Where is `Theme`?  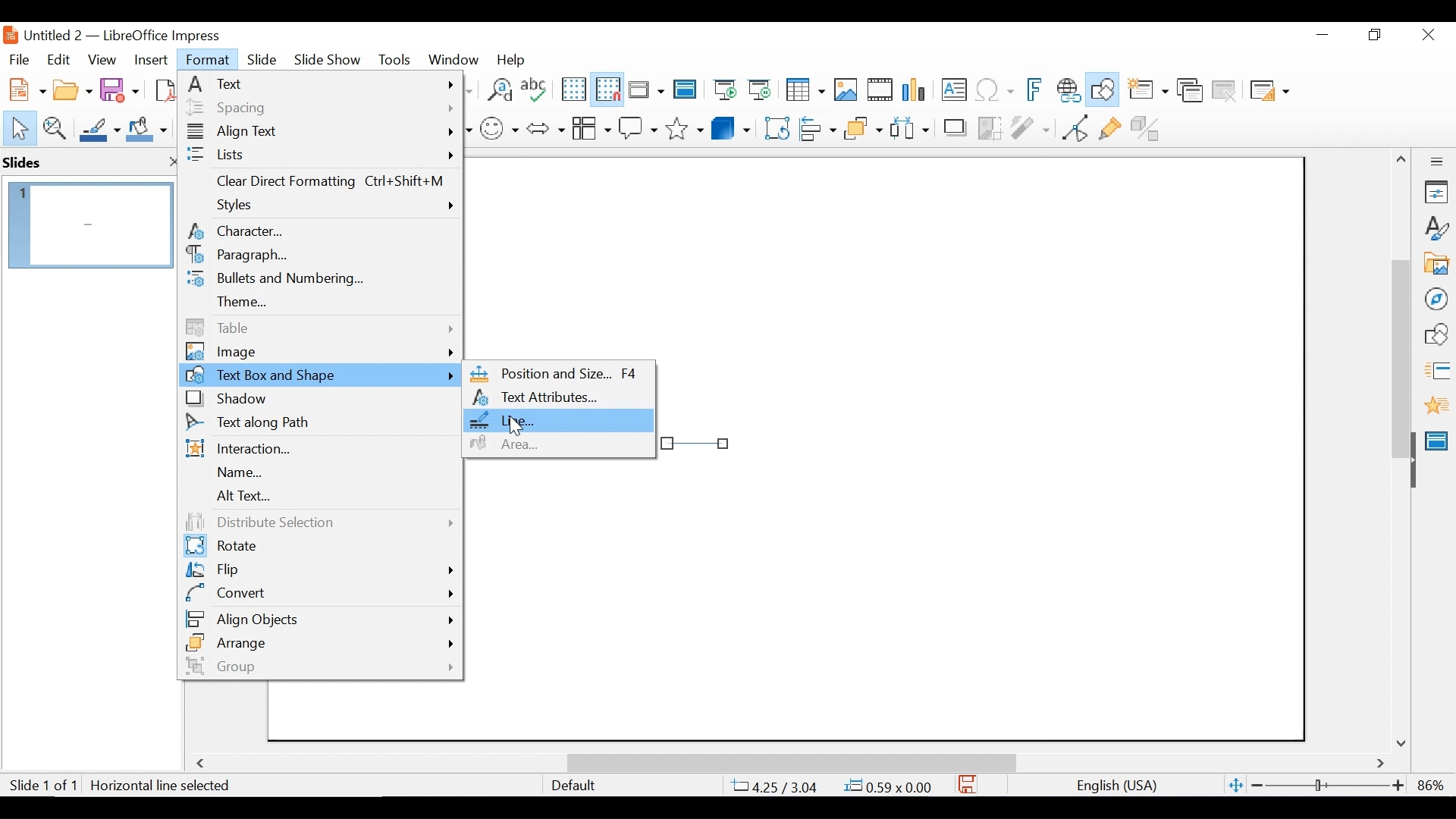 Theme is located at coordinates (319, 302).